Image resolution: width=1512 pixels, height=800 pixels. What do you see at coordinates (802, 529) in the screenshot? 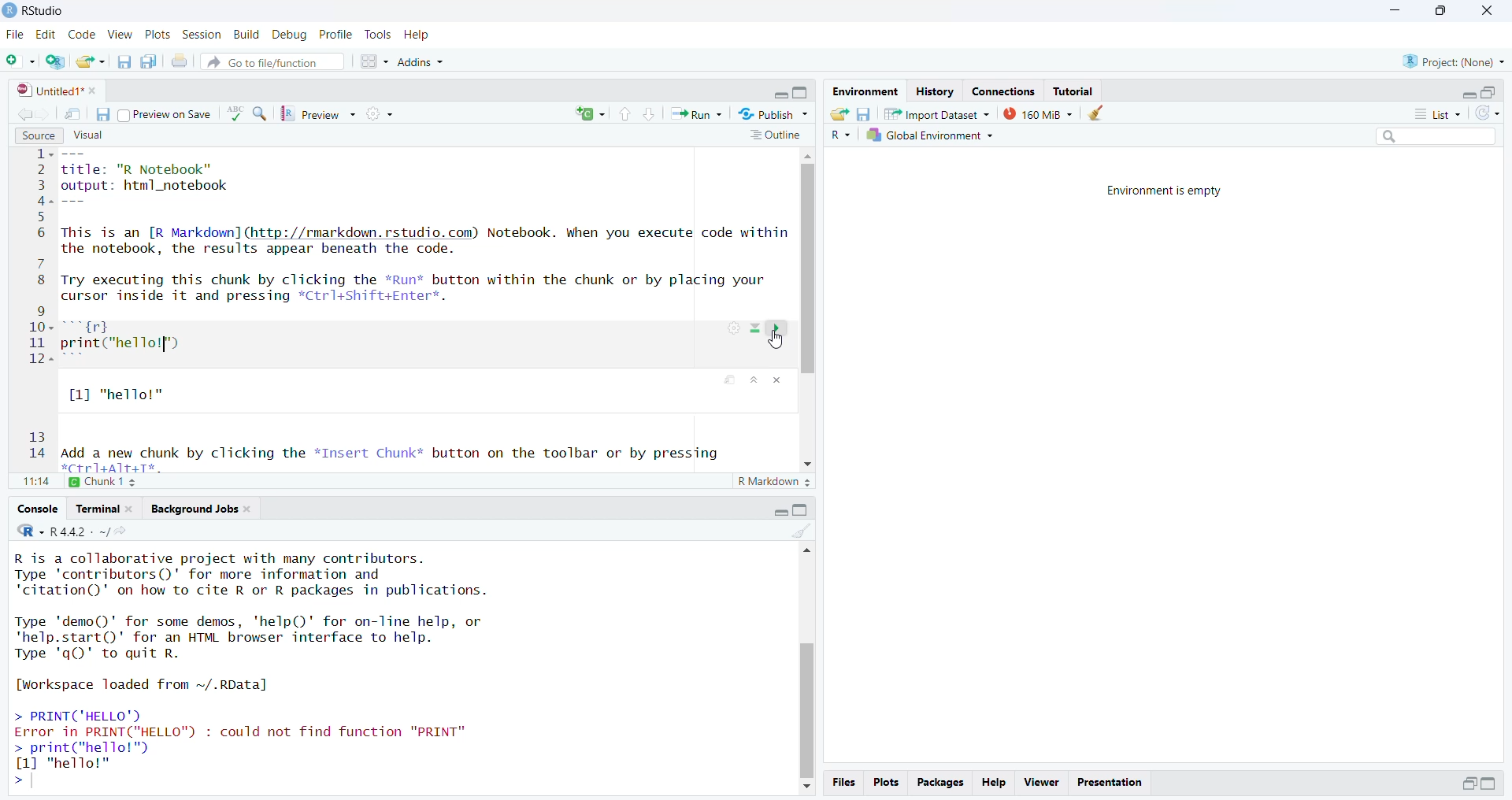
I see `clear console` at bounding box center [802, 529].